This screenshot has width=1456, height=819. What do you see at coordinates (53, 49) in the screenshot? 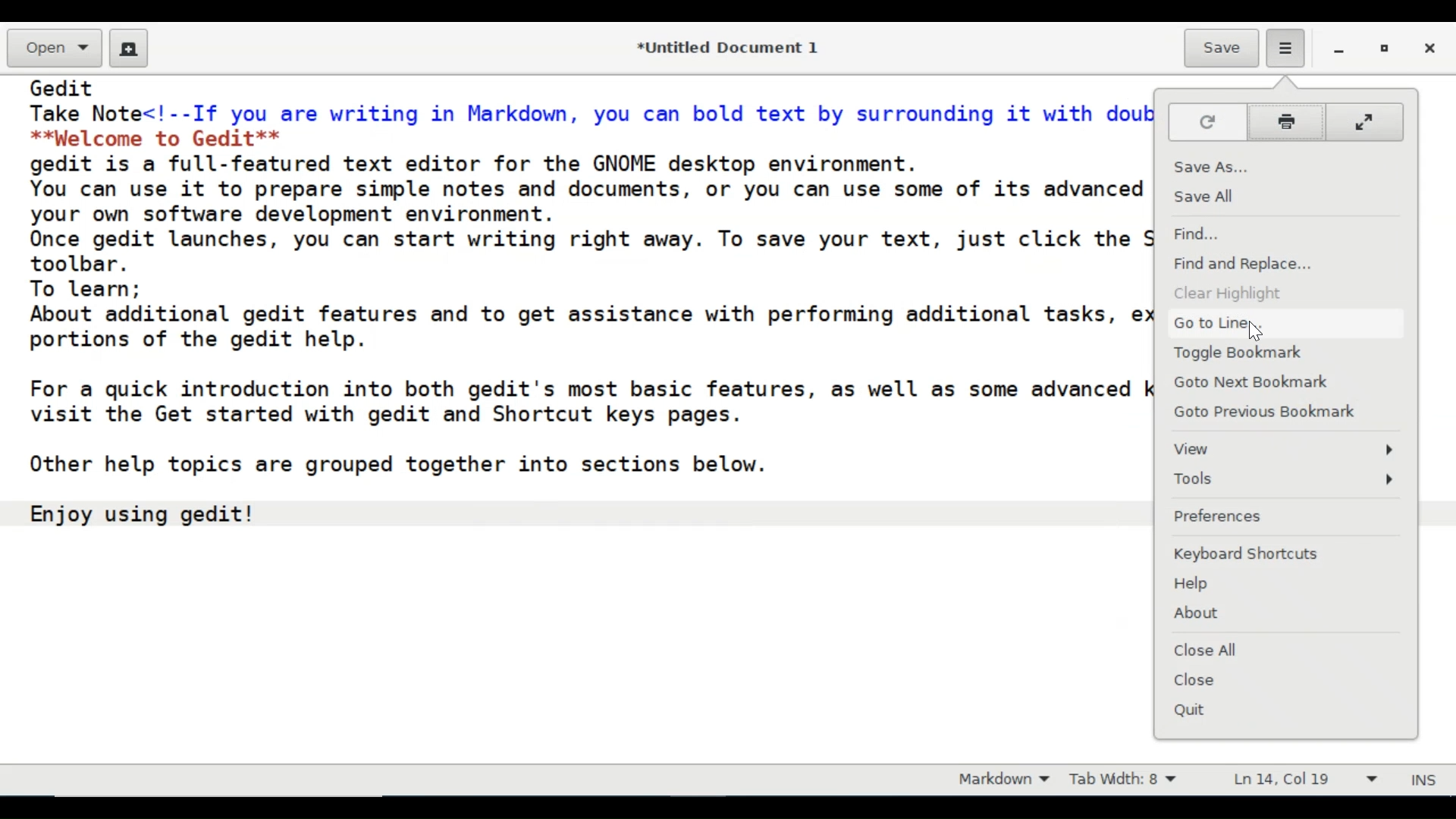
I see `Open` at bounding box center [53, 49].